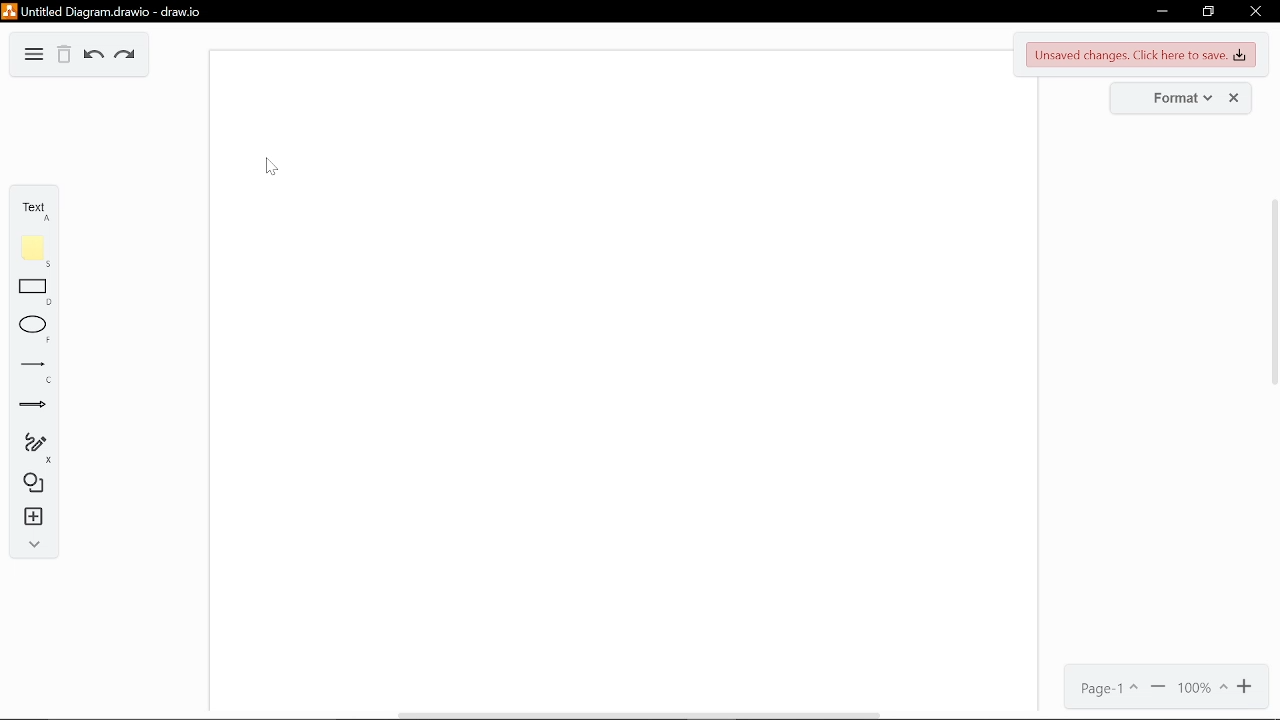 The width and height of the screenshot is (1280, 720). Describe the element at coordinates (28, 291) in the screenshot. I see `rectangle` at that location.